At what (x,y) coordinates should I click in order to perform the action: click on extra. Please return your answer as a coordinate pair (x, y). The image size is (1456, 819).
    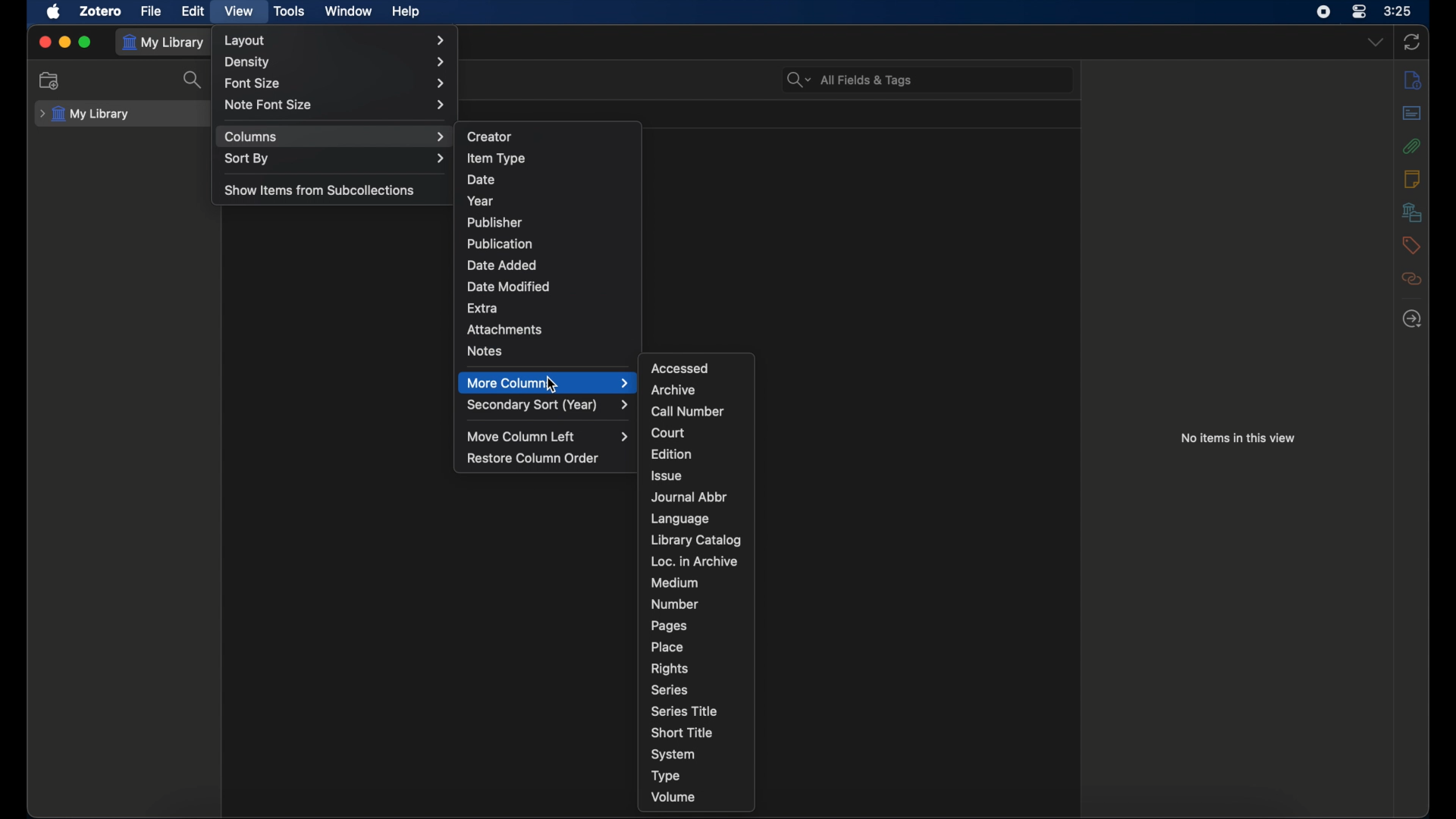
    Looking at the image, I should click on (483, 309).